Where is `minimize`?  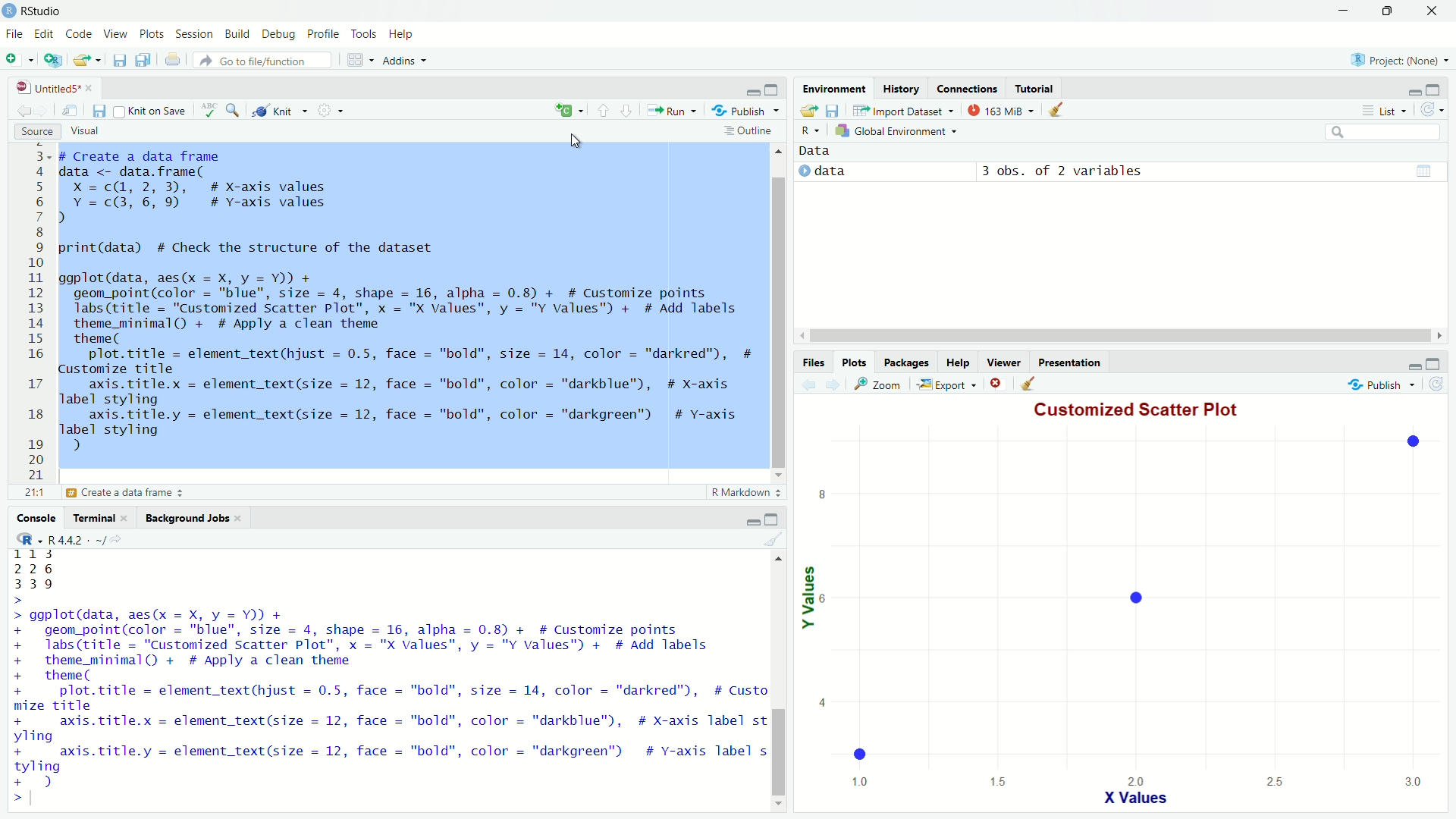 minimize is located at coordinates (1412, 366).